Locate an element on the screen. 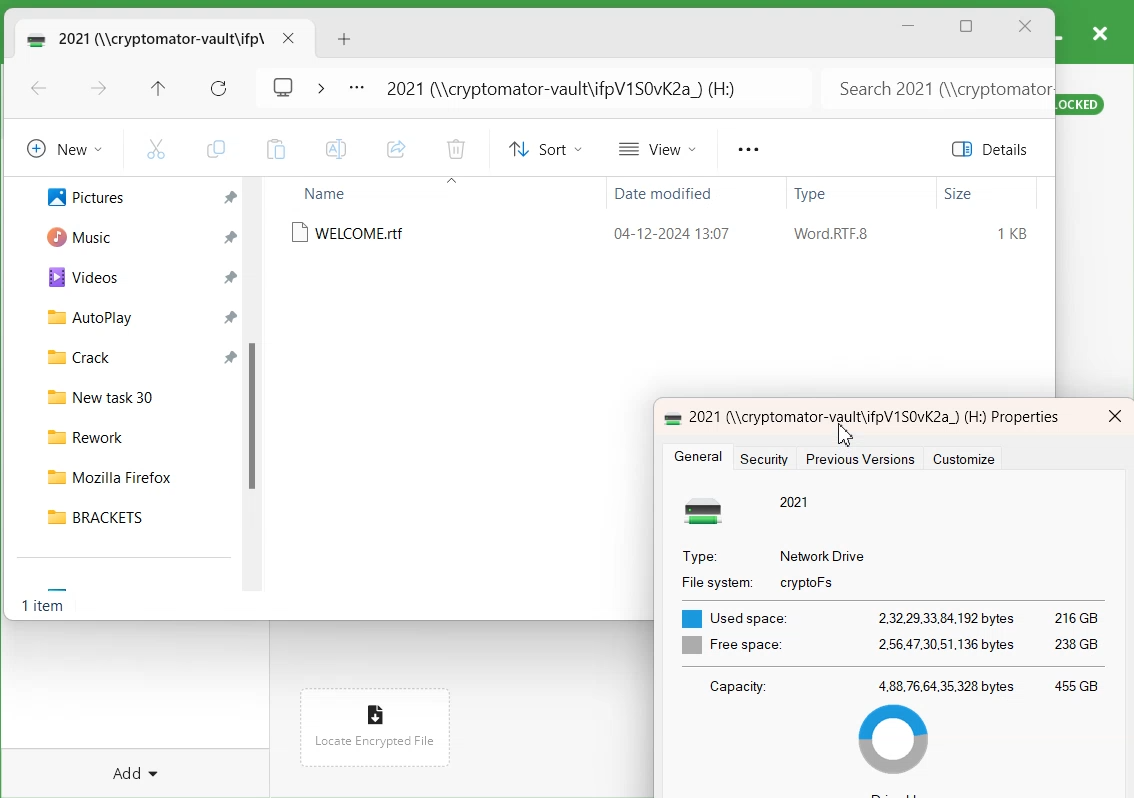 This screenshot has width=1134, height=798. Minimize is located at coordinates (909, 26).